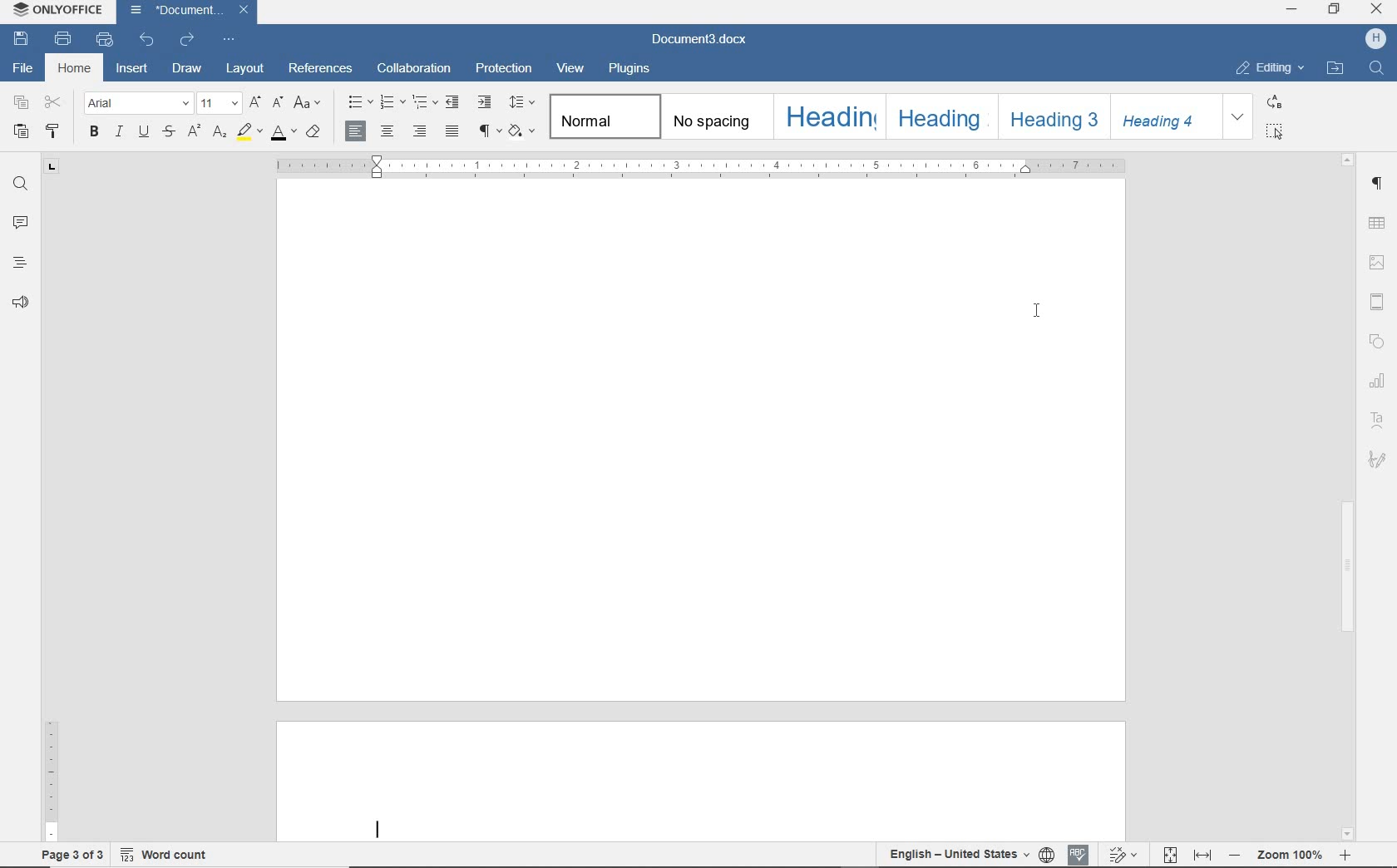  Describe the element at coordinates (94, 133) in the screenshot. I see `BOLD` at that location.